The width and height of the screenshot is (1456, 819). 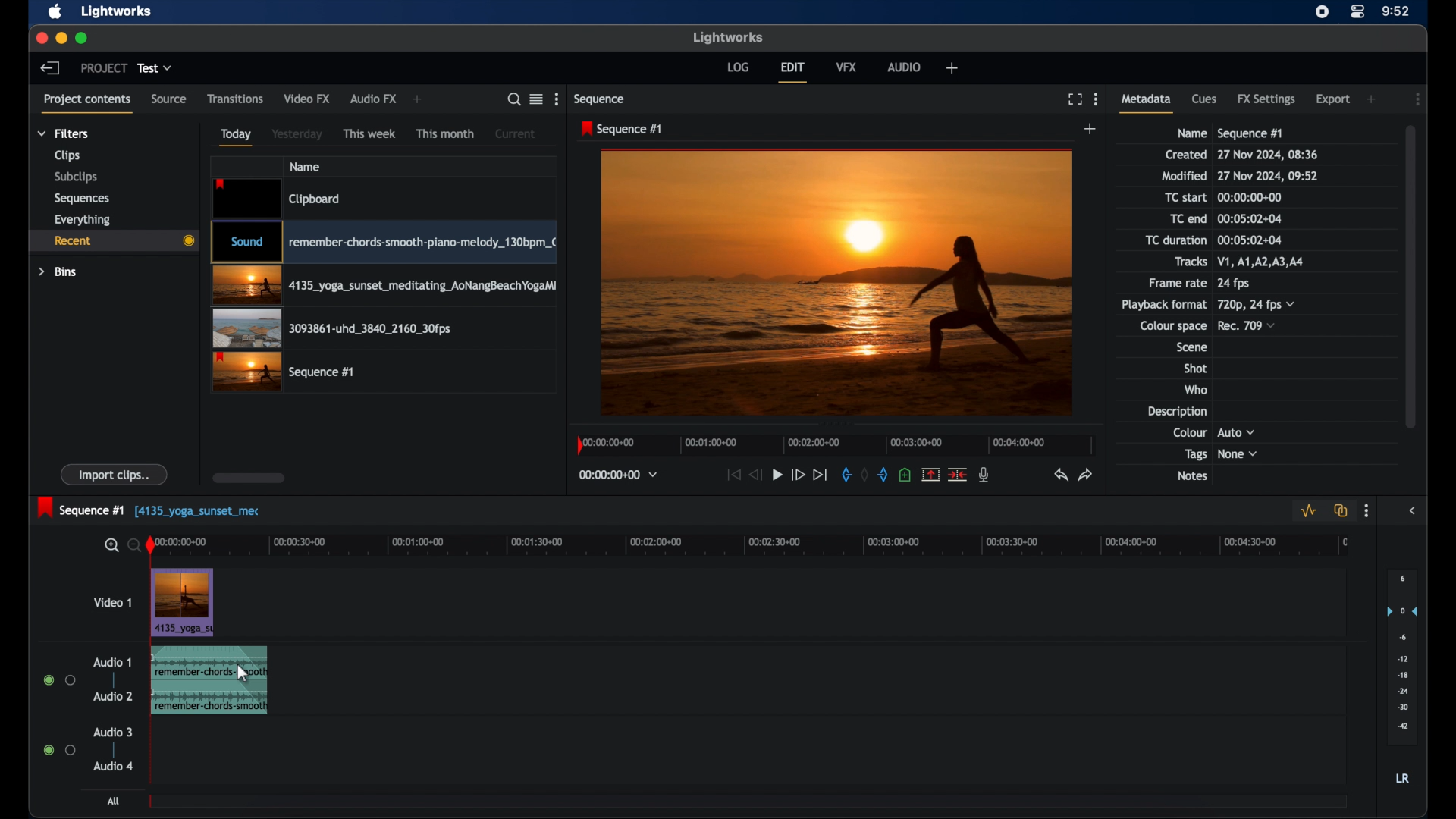 What do you see at coordinates (601, 100) in the screenshot?
I see `sequence` at bounding box center [601, 100].